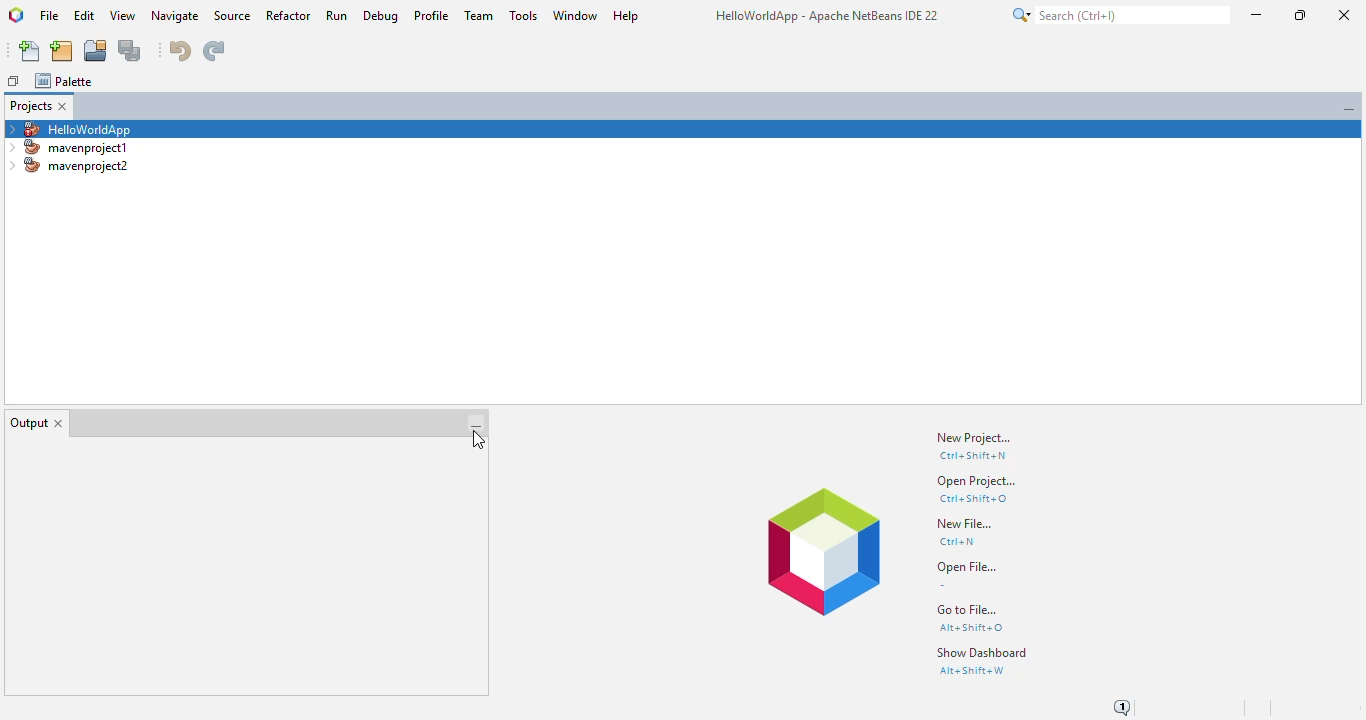 The width and height of the screenshot is (1366, 720). I want to click on shortcut for new project, so click(972, 456).